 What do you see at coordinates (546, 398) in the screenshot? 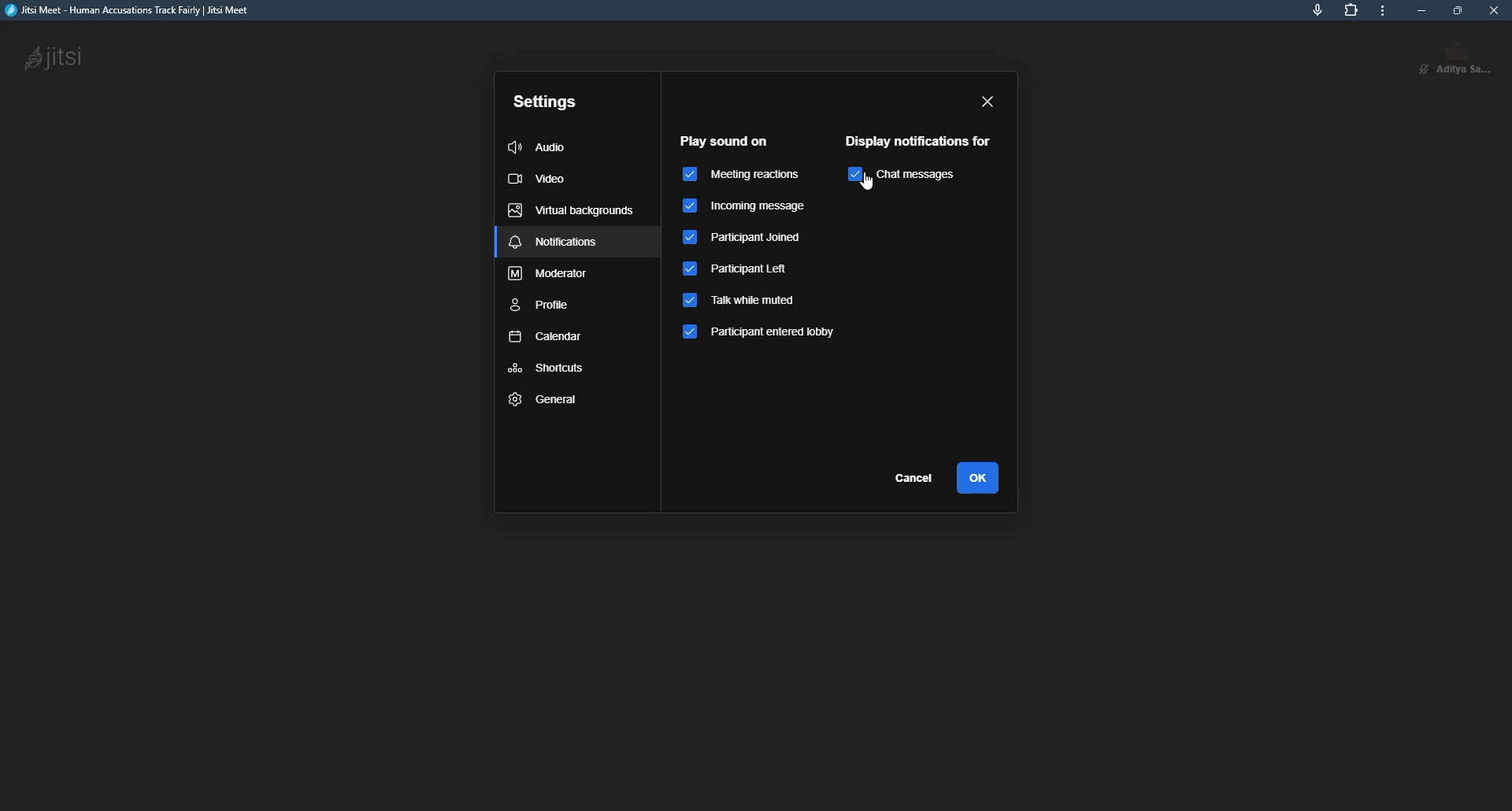
I see `general` at bounding box center [546, 398].